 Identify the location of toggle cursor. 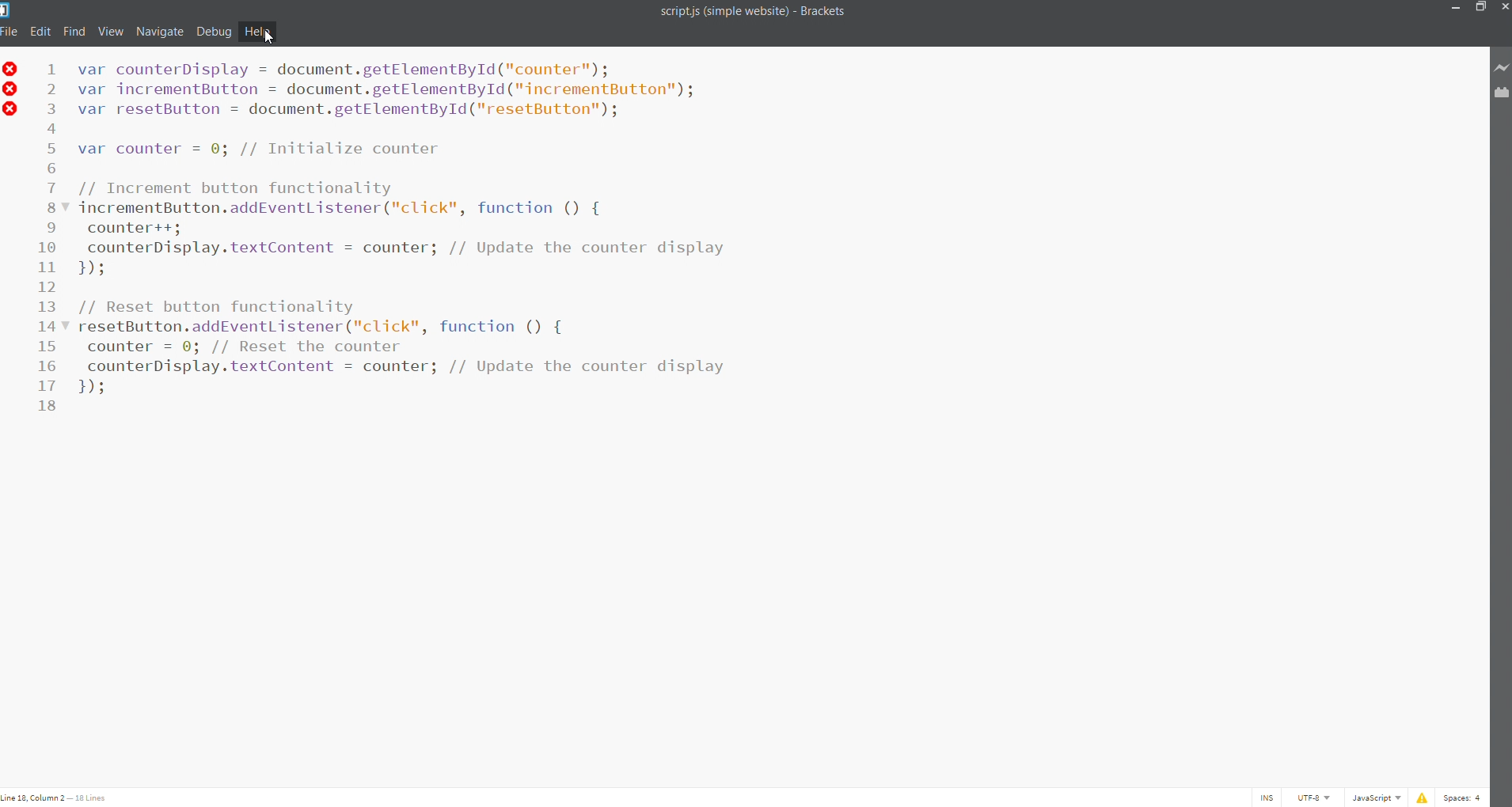
(1268, 798).